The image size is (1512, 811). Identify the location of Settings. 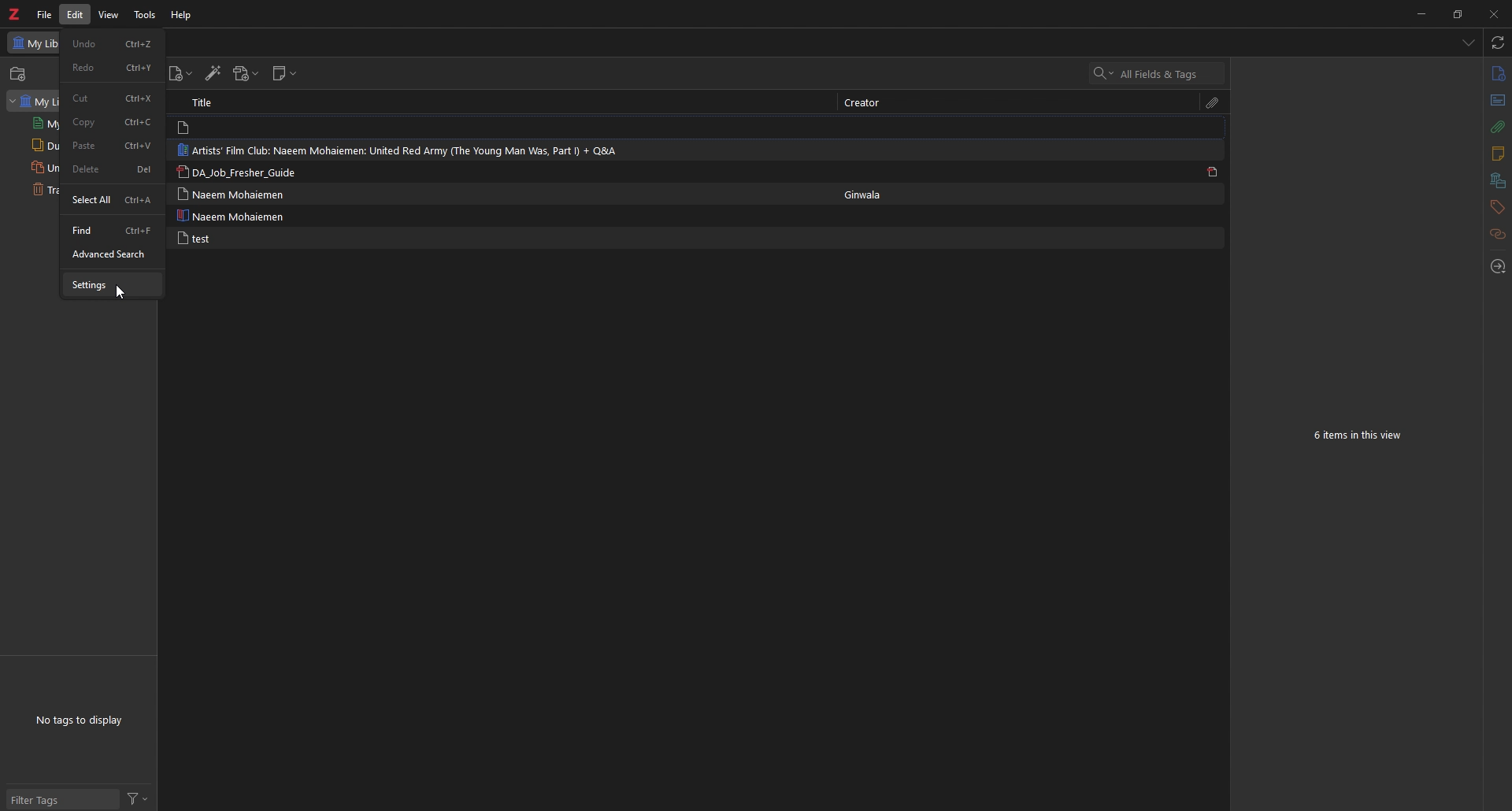
(87, 284).